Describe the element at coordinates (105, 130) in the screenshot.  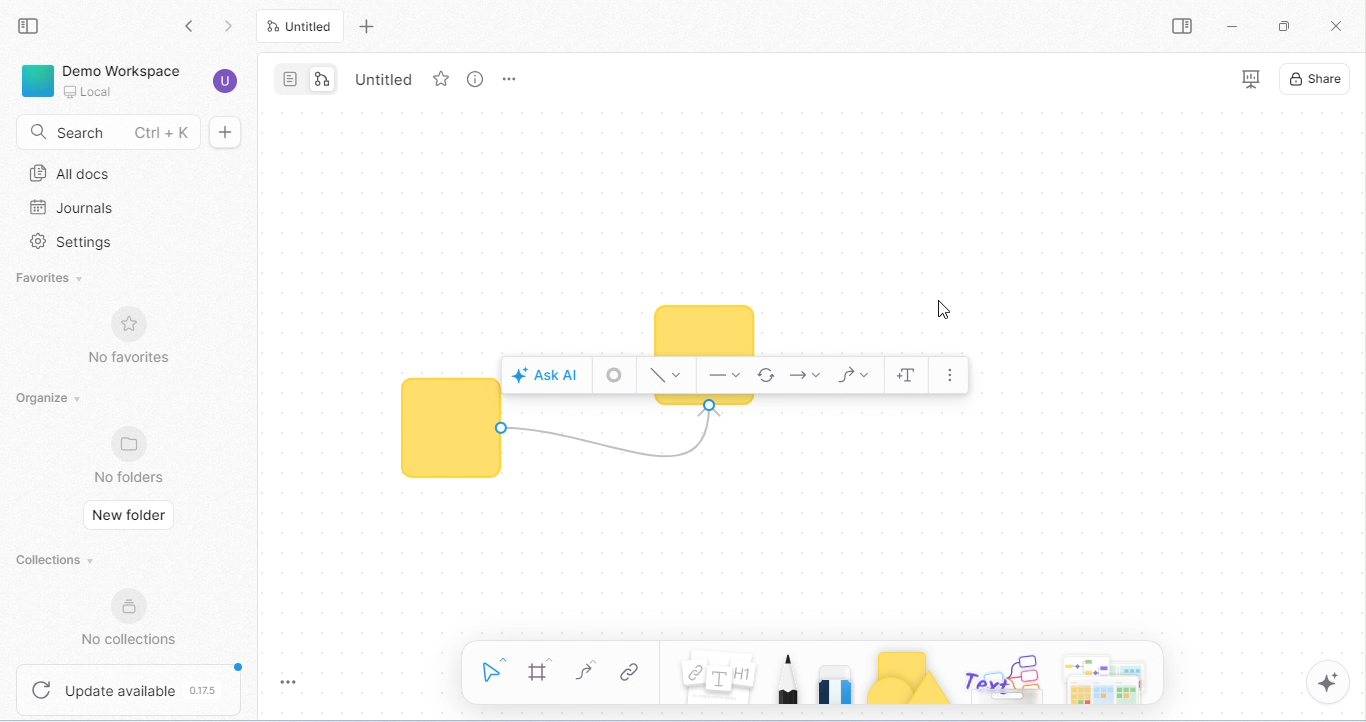
I see `search Ctrl+K` at that location.